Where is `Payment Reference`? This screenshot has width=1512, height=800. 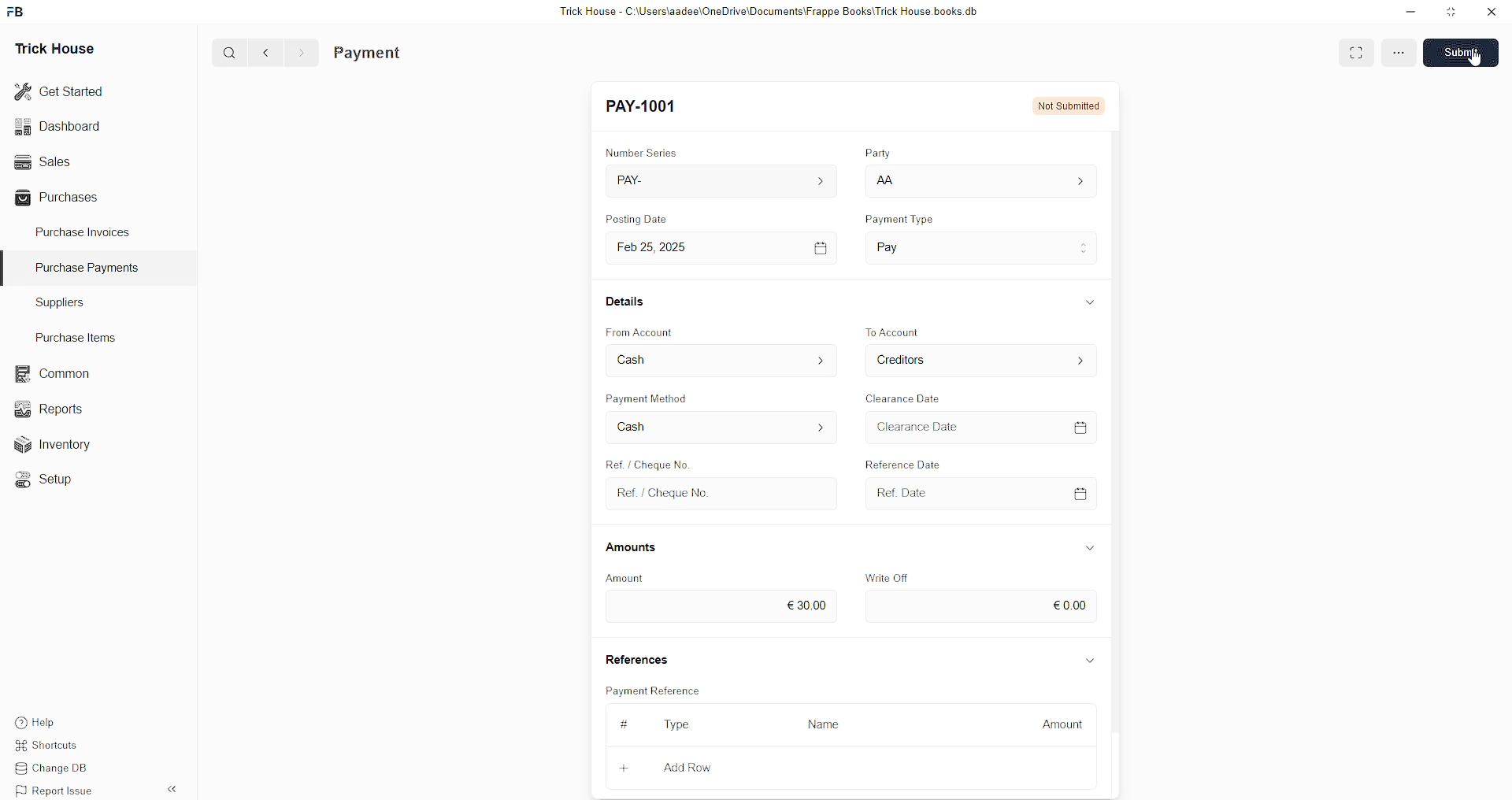 Payment Reference is located at coordinates (651, 692).